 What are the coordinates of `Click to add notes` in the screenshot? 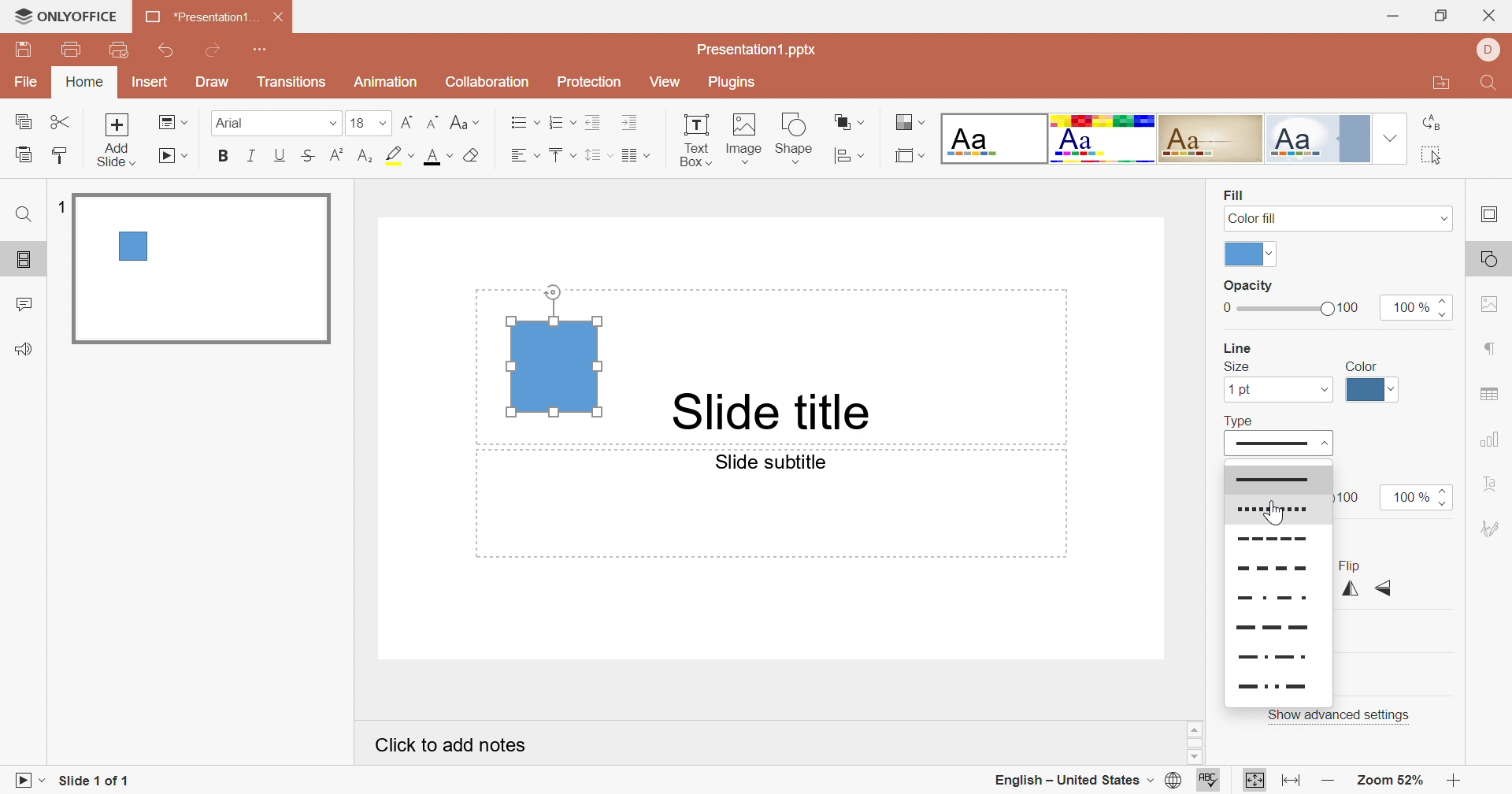 It's located at (452, 748).